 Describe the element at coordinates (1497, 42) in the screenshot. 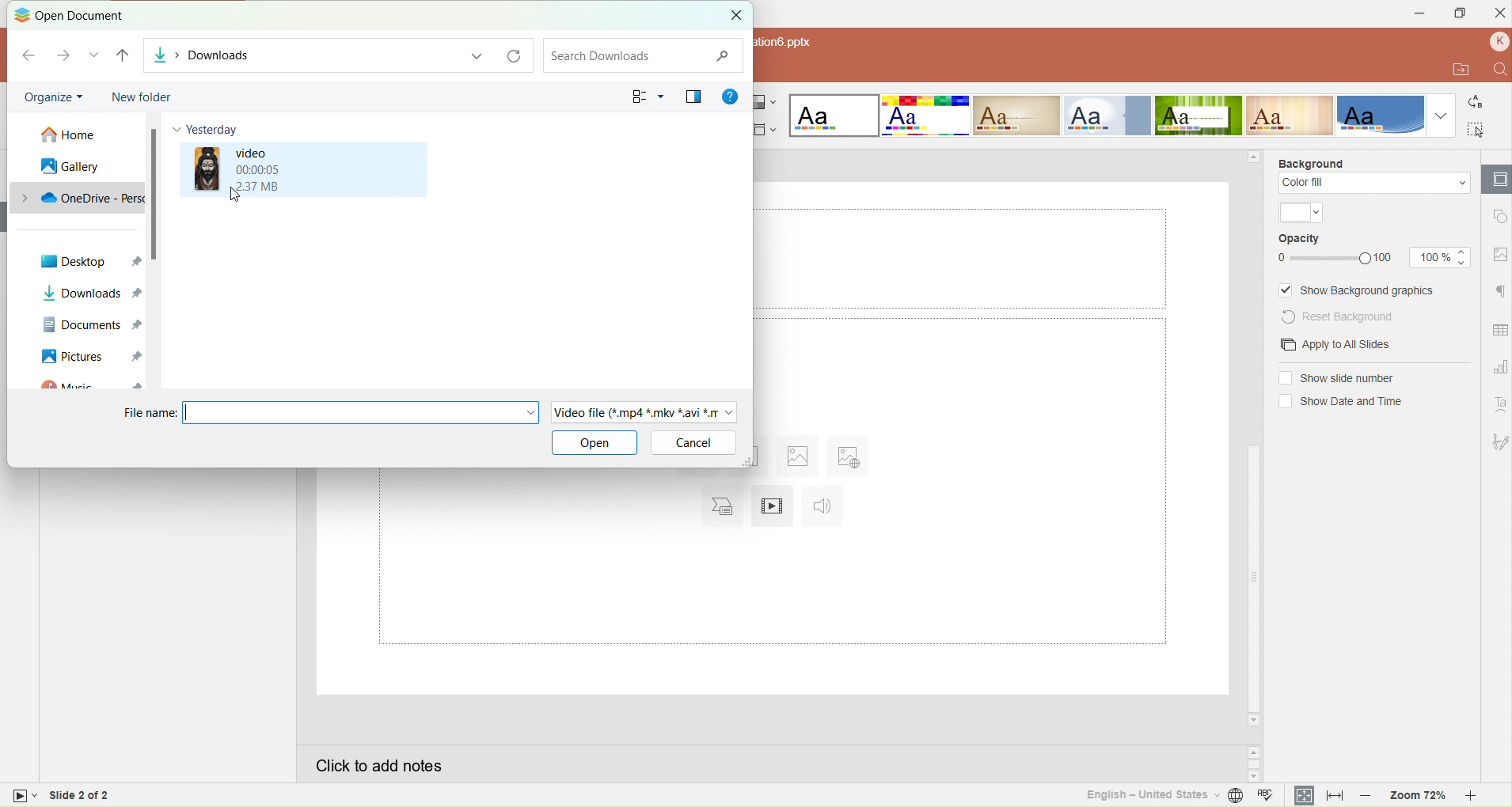

I see `Profile name` at that location.